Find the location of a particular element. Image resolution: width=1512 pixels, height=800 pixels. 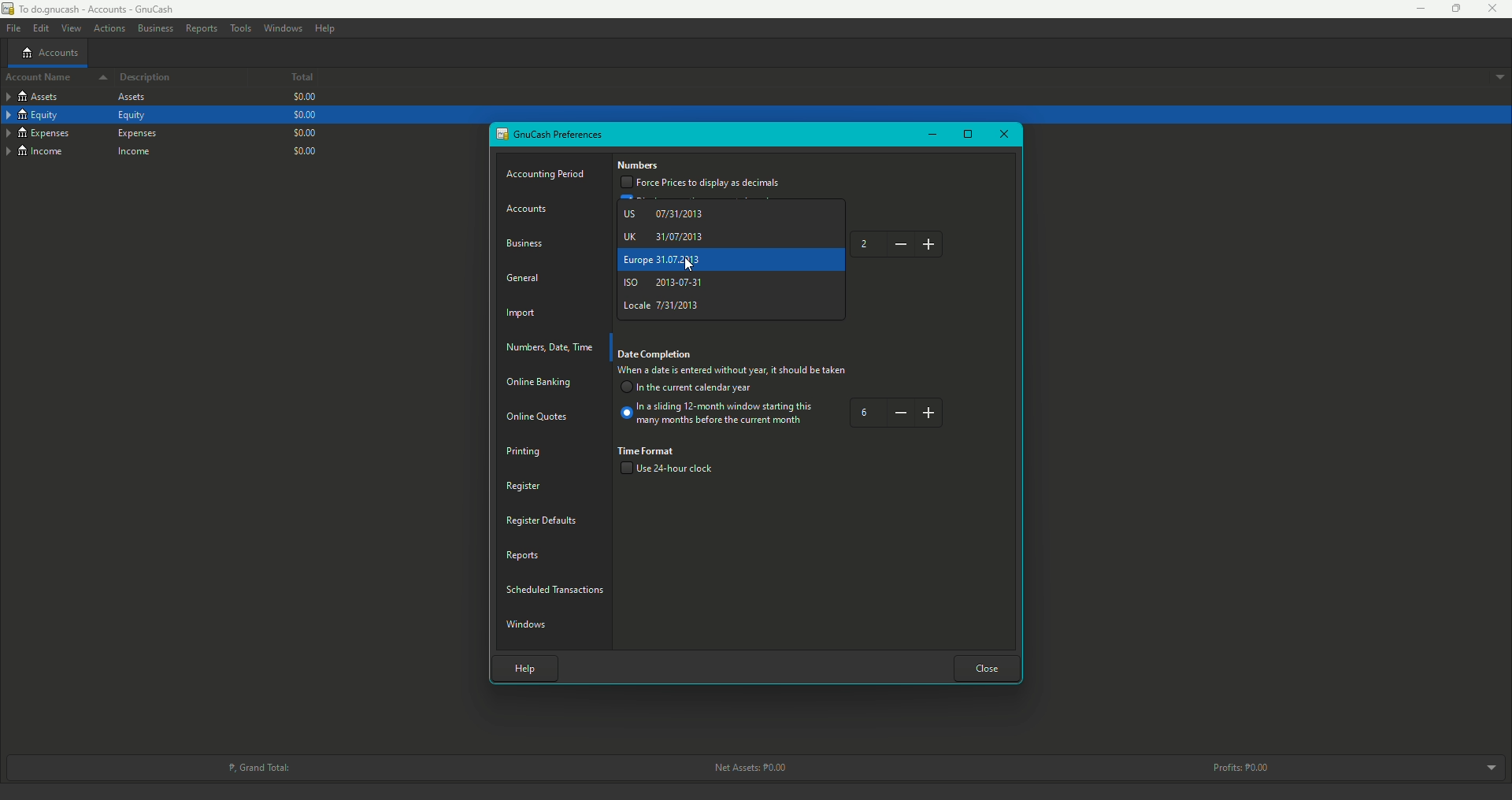

Description is located at coordinates (146, 78).